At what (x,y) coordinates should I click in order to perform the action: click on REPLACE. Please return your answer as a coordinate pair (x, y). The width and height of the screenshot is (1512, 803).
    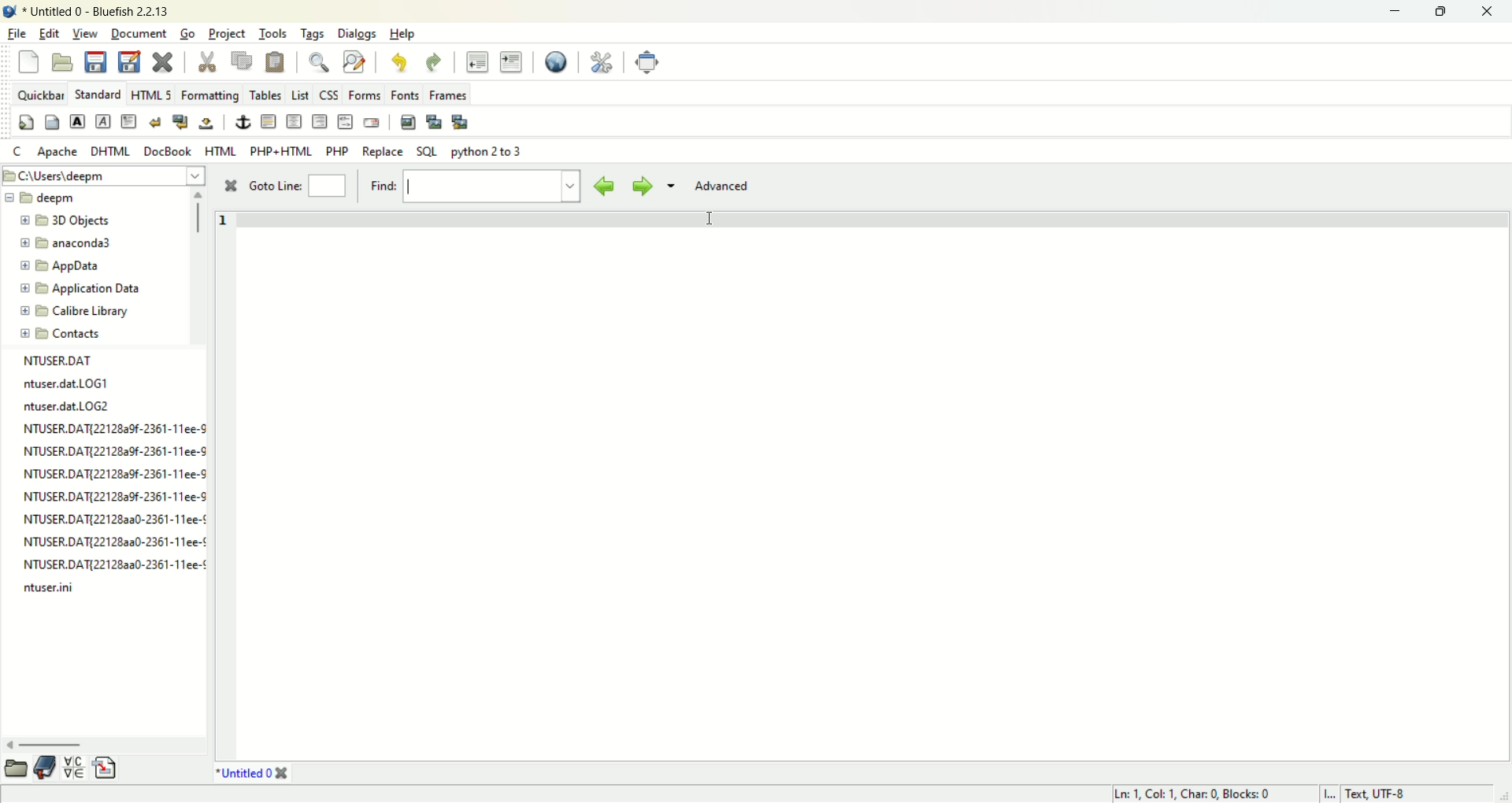
    Looking at the image, I should click on (384, 152).